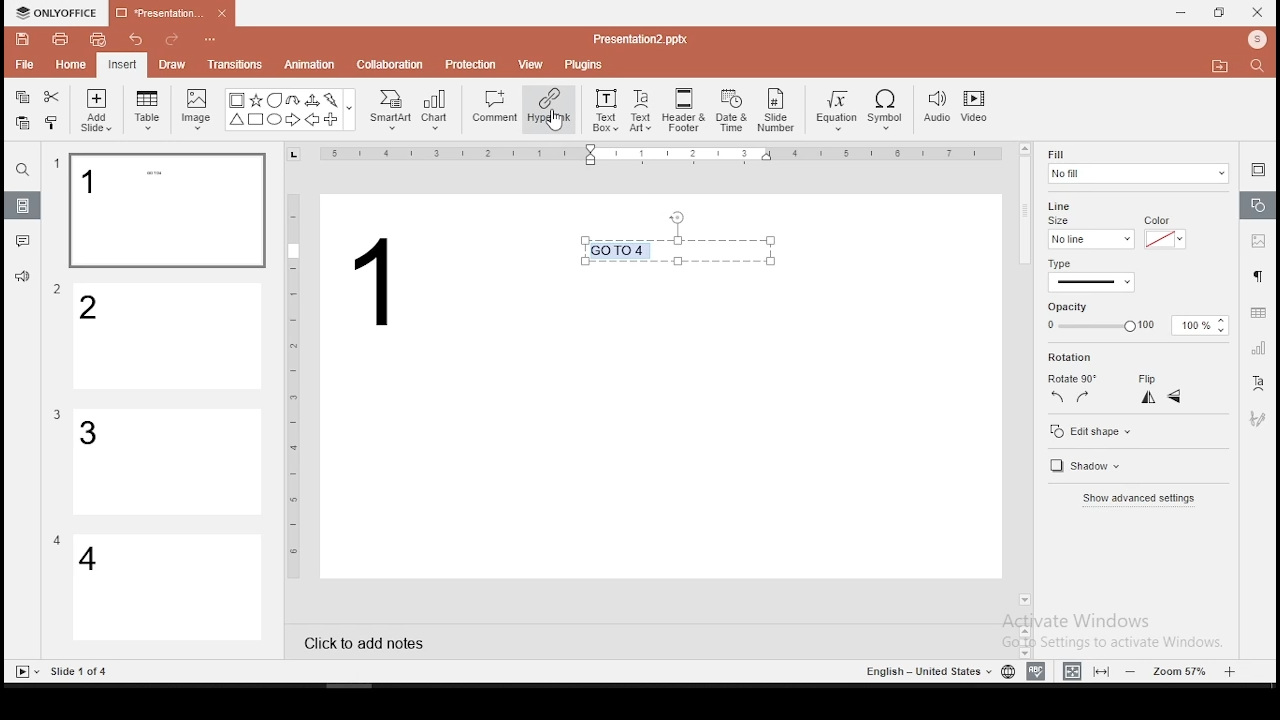 The height and width of the screenshot is (720, 1280). I want to click on table settings, so click(1256, 313).